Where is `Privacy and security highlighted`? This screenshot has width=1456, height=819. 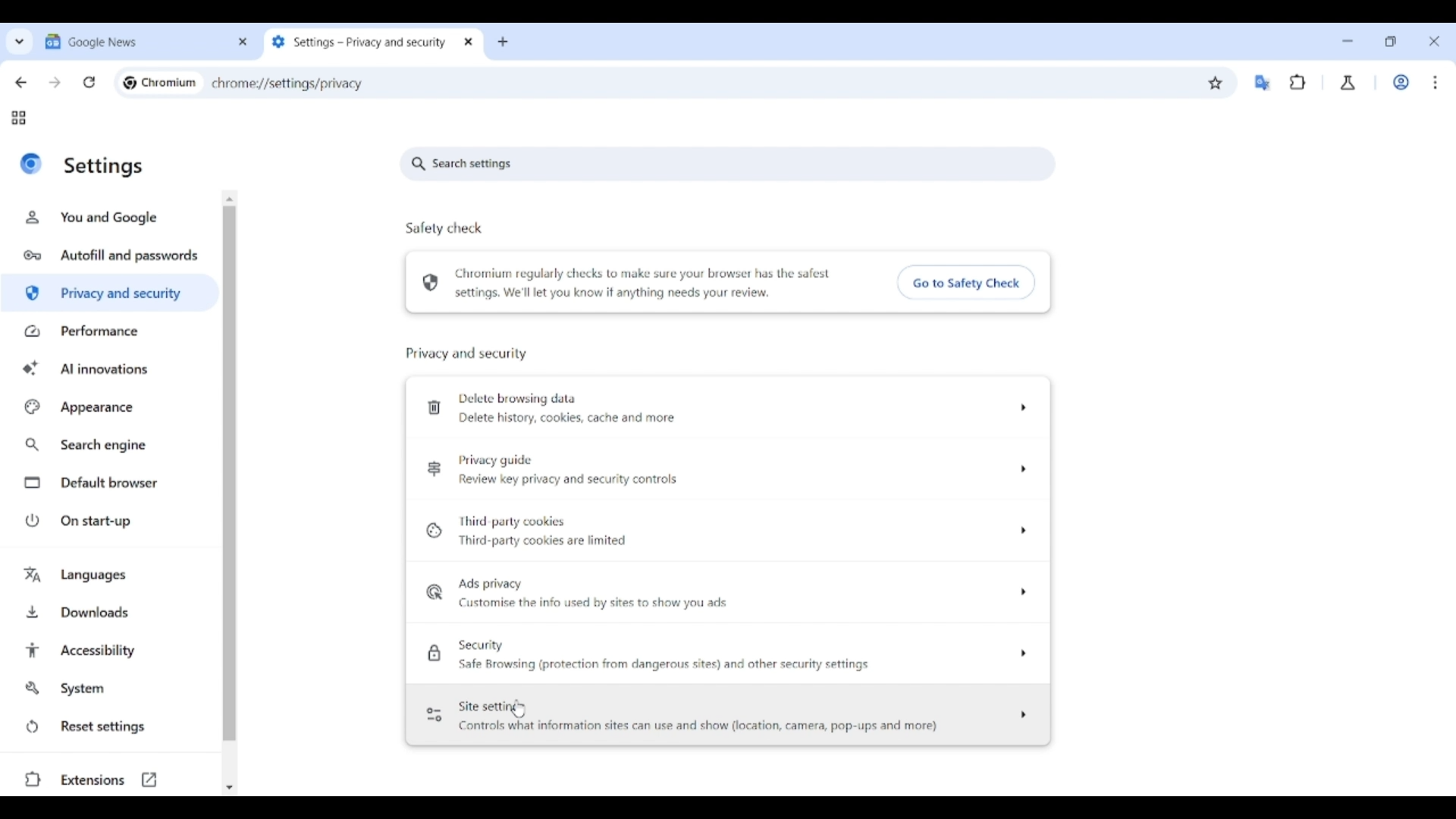
Privacy and security highlighted is located at coordinates (108, 296).